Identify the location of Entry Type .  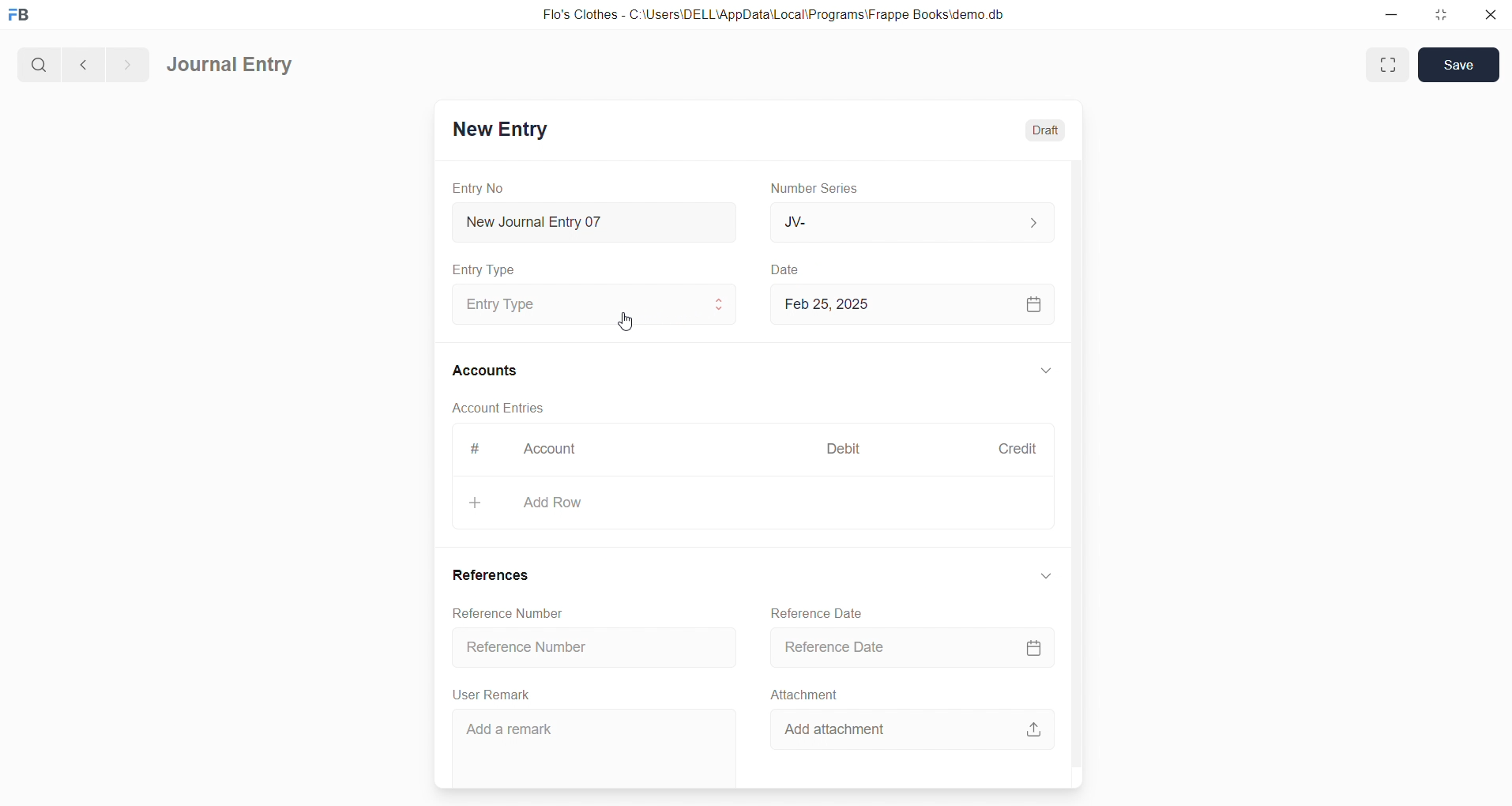
(589, 304).